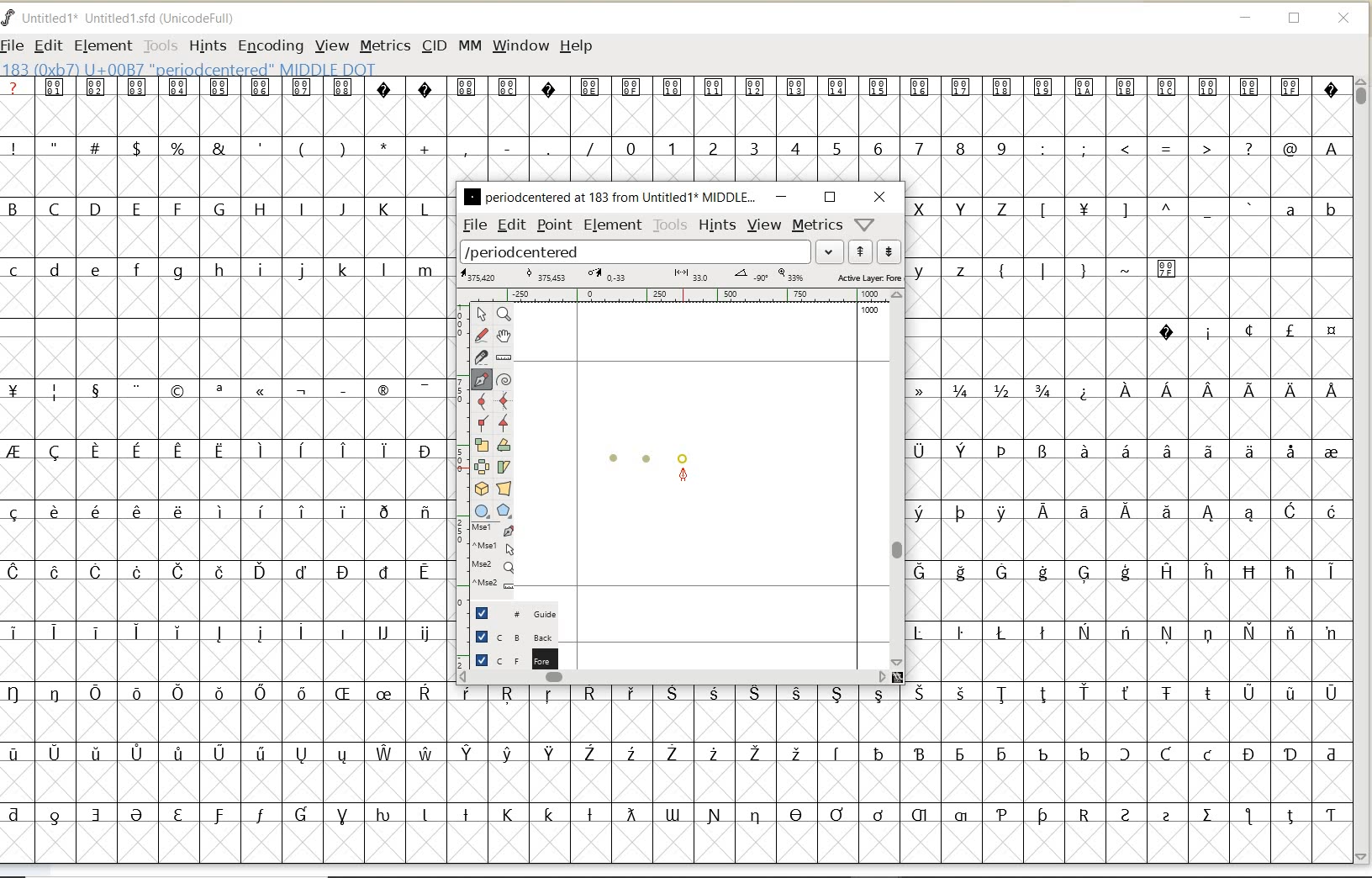  I want to click on cursor events on the opened outline window, so click(493, 557).